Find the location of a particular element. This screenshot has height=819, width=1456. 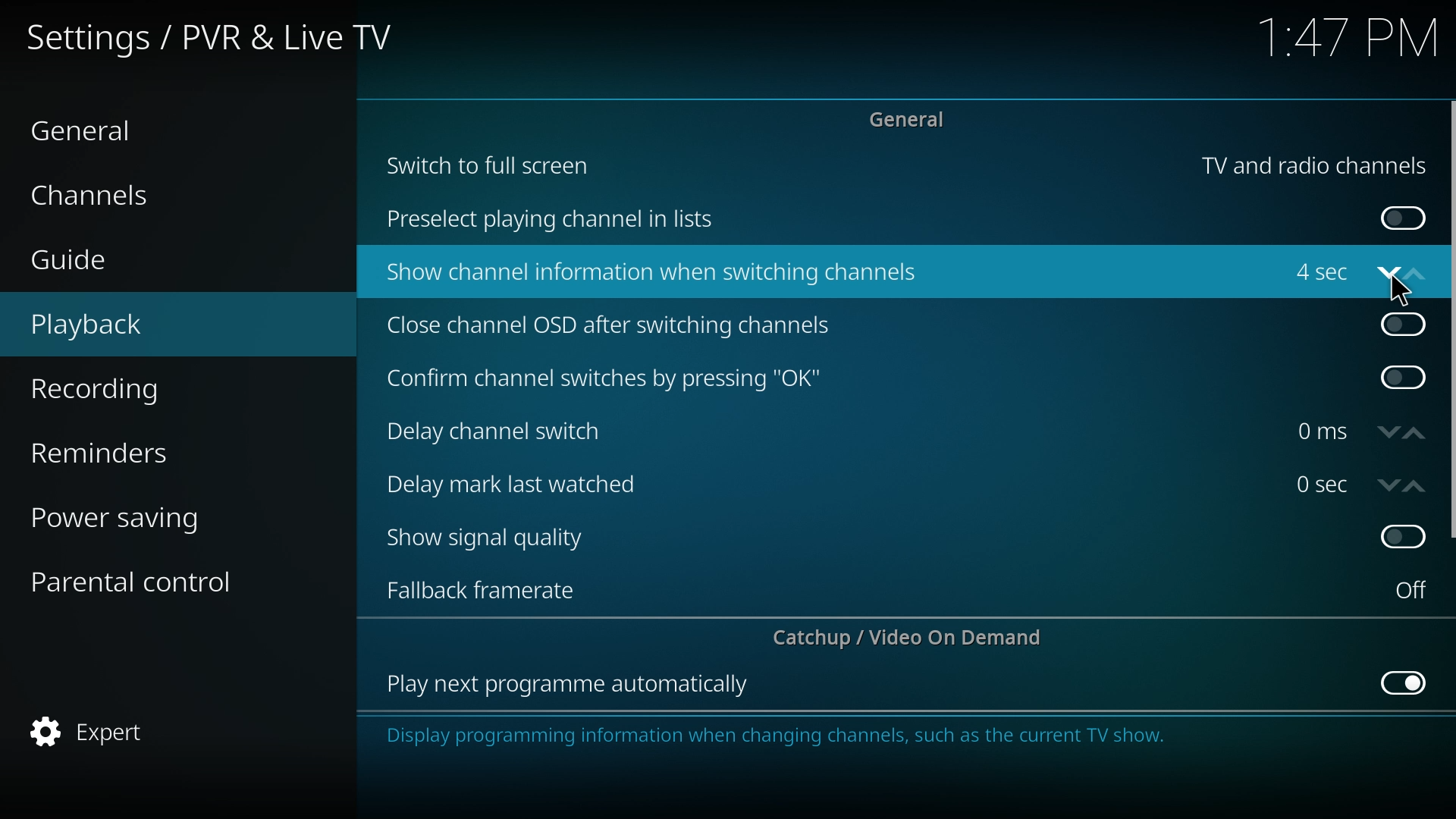

close channel osd after switching channels is located at coordinates (613, 327).